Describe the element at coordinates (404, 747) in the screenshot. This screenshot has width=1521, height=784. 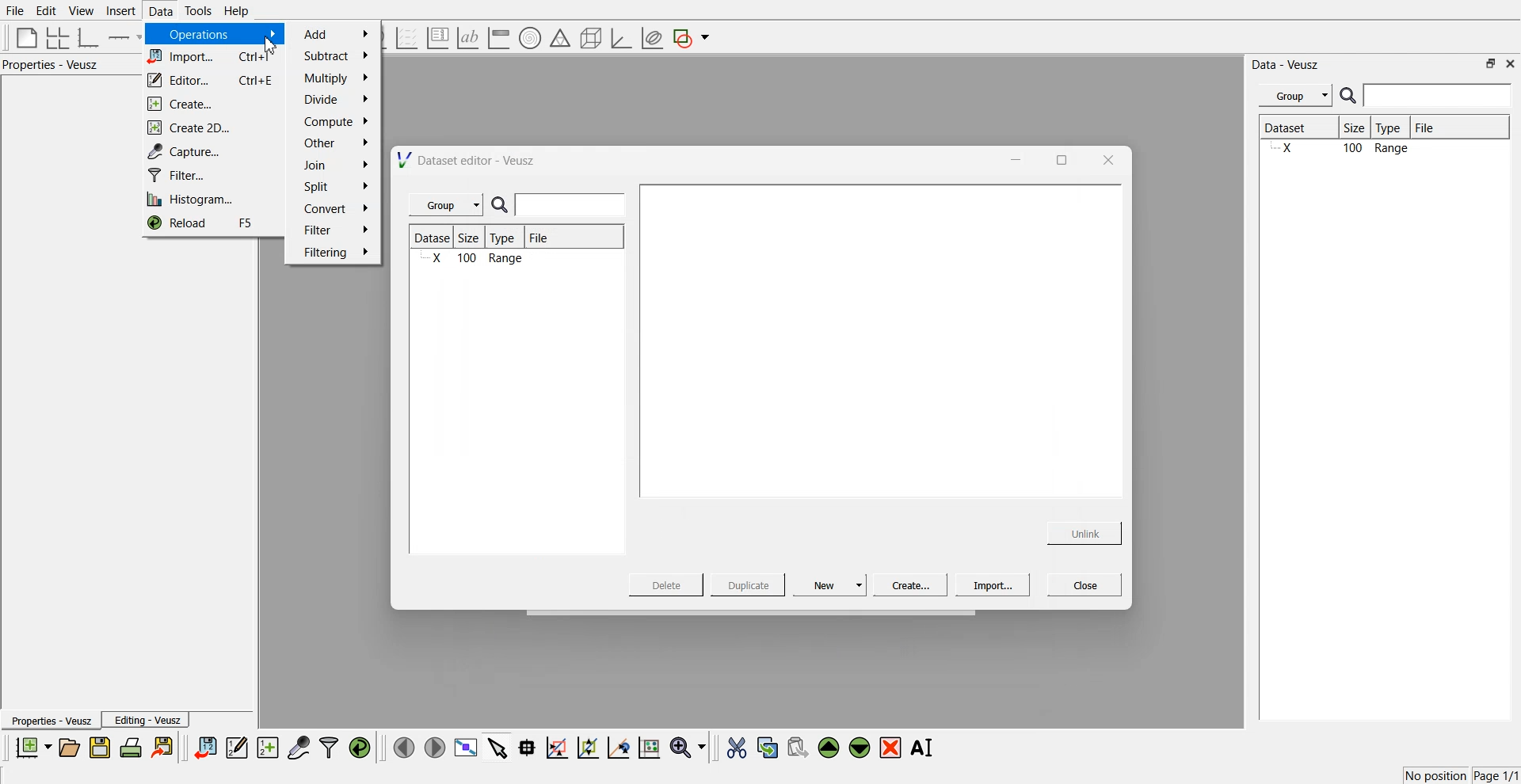
I see `move left` at that location.